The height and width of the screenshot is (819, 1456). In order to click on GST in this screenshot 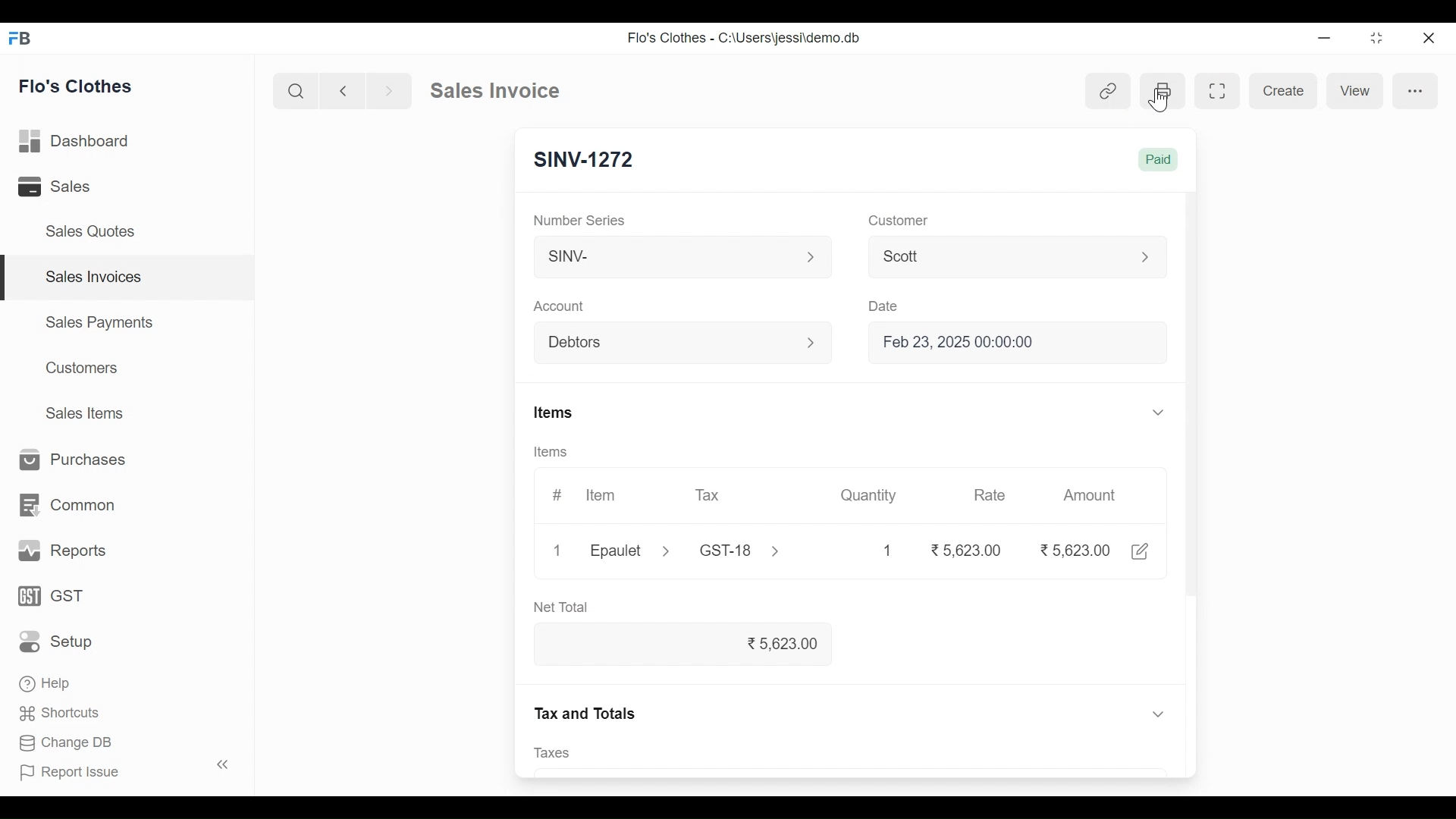, I will do `click(52, 595)`.